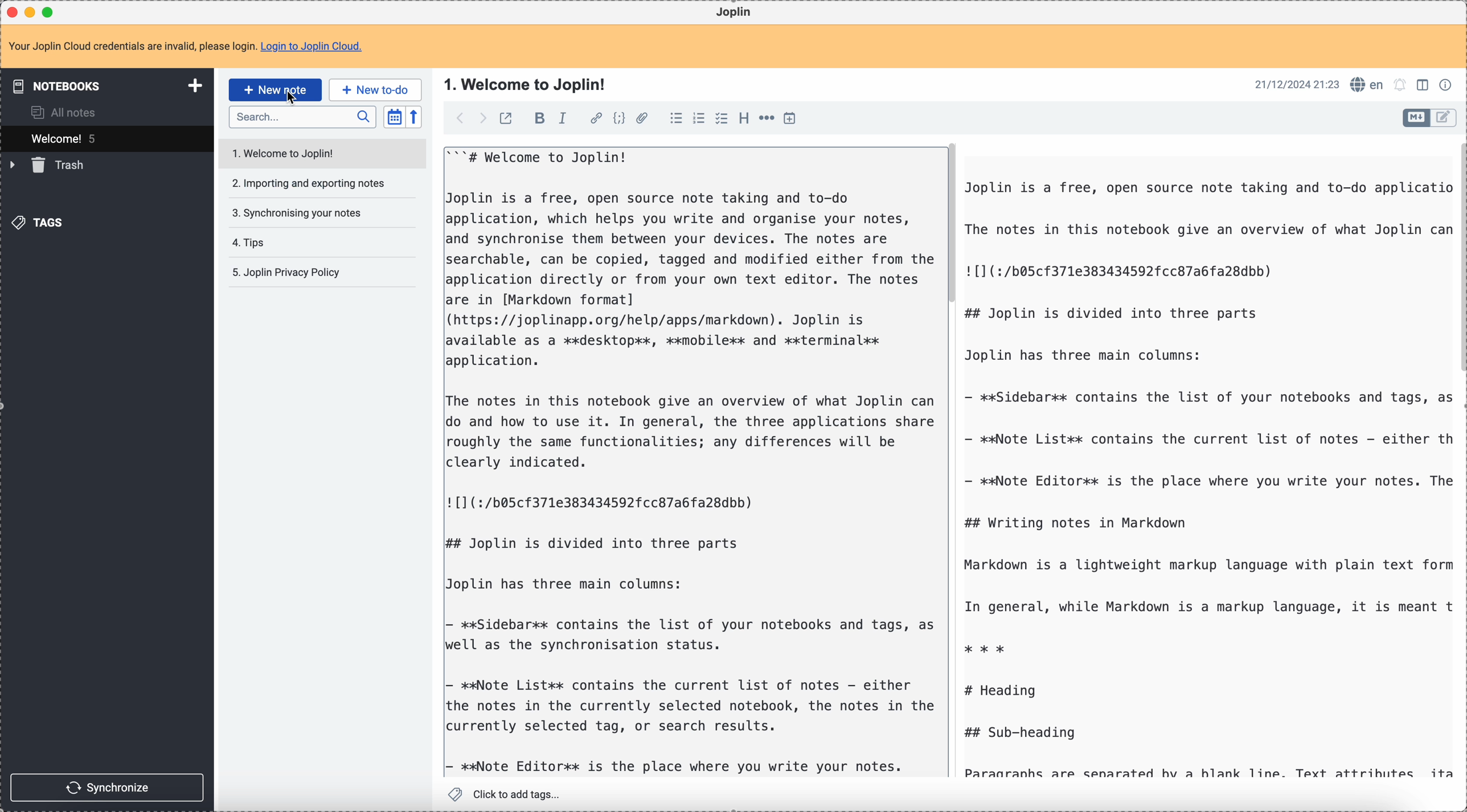 The height and width of the screenshot is (812, 1467). I want to click on click on new note, so click(274, 89).